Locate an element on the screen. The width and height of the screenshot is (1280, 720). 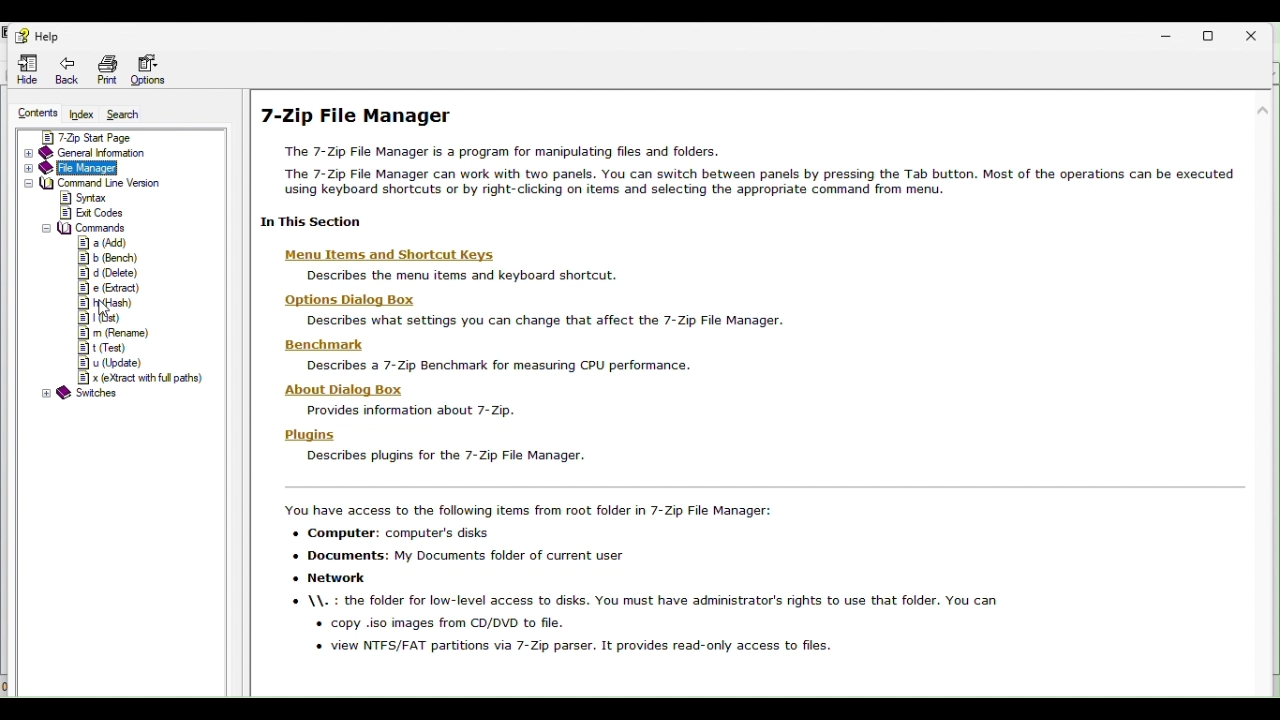
e(extract) is located at coordinates (106, 289).